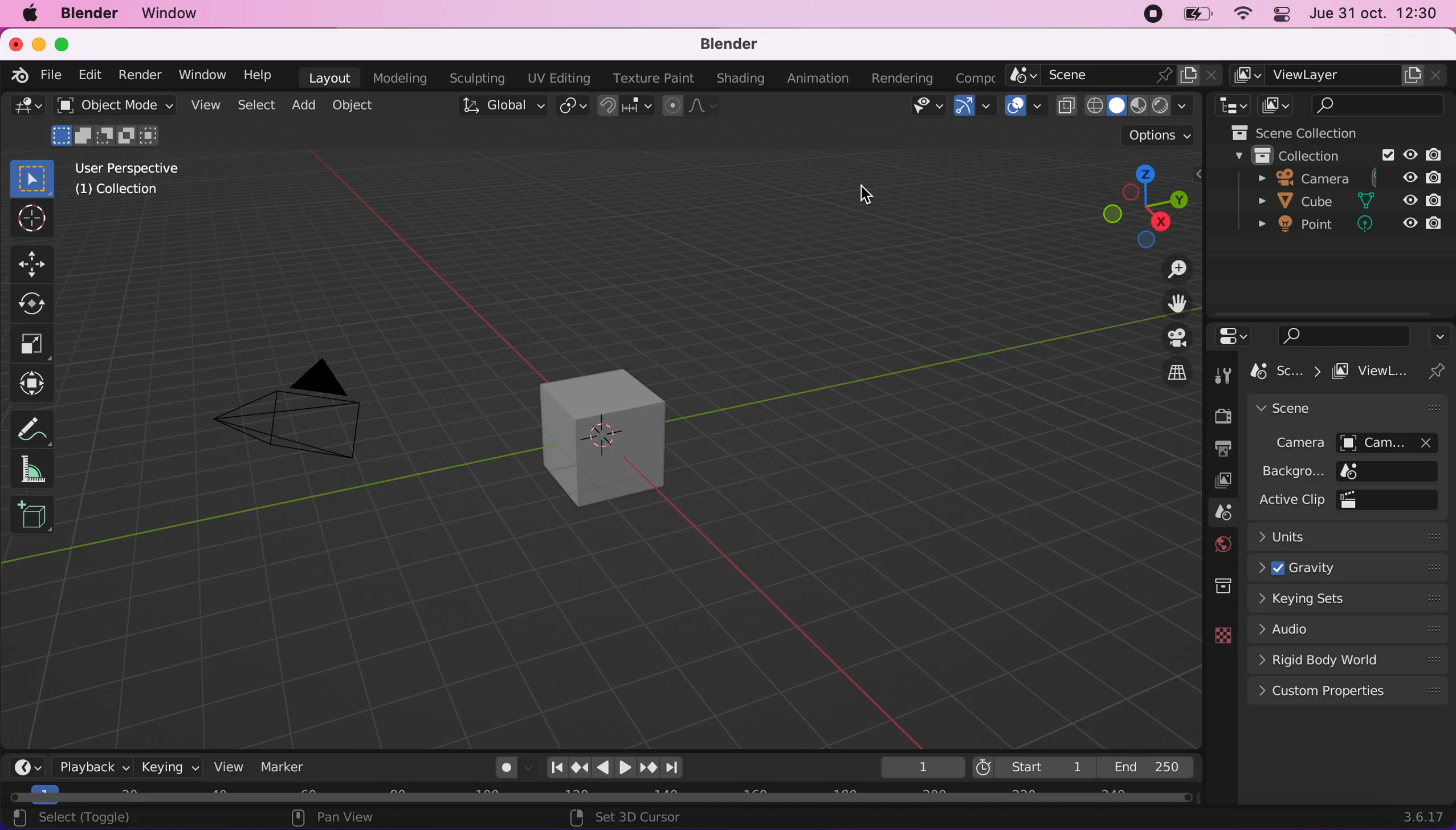 This screenshot has height=830, width=1456. I want to click on battery, so click(1198, 14).